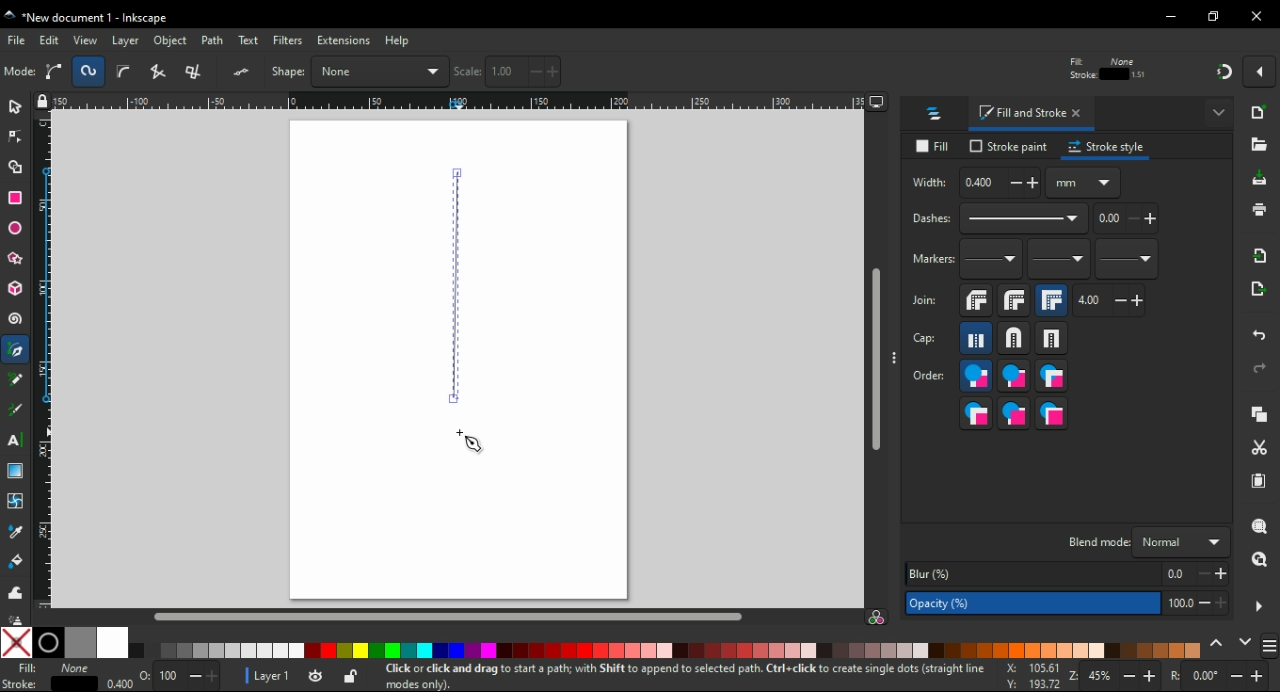  What do you see at coordinates (359, 71) in the screenshot?
I see `raise` at bounding box center [359, 71].